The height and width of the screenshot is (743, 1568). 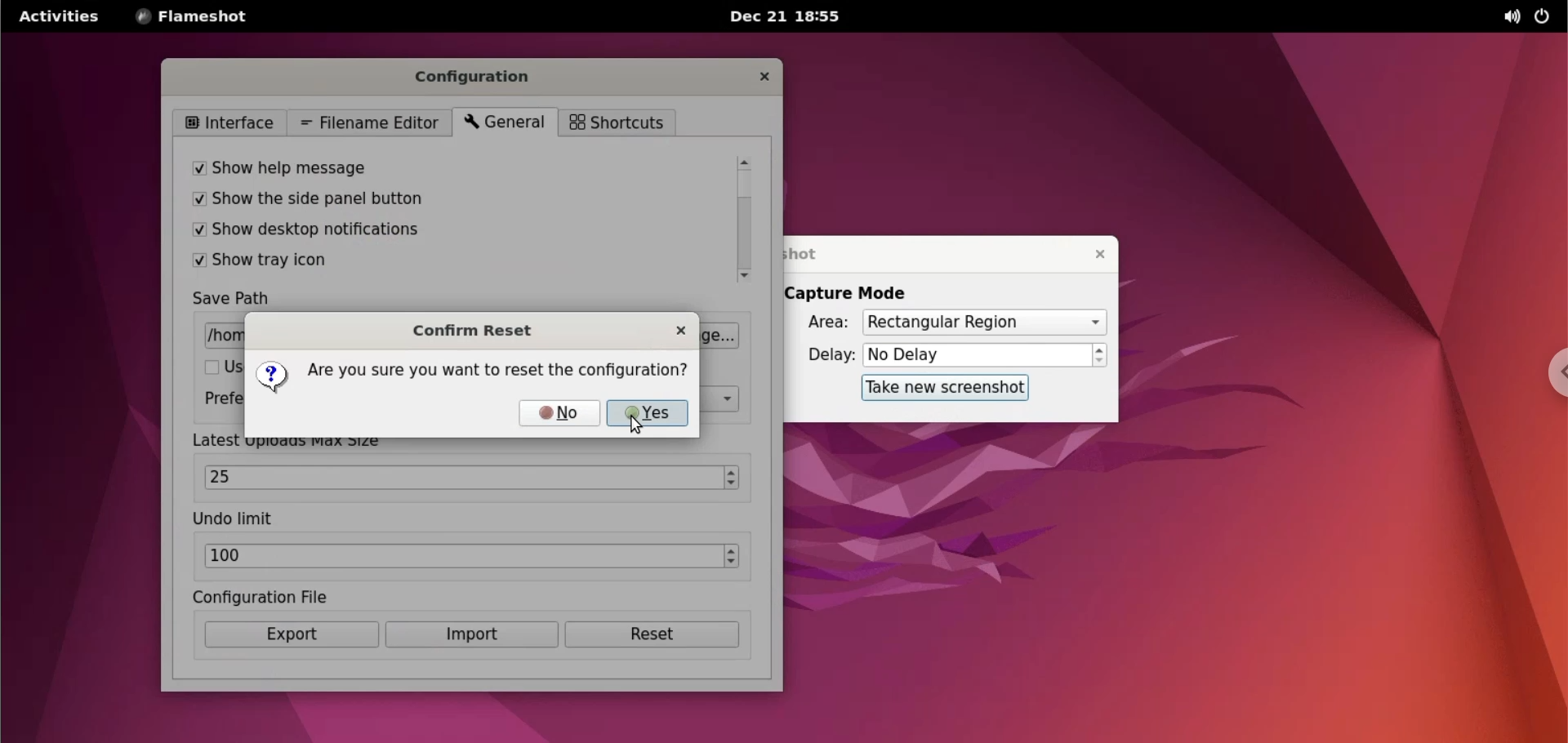 I want to click on show tray icon, so click(x=405, y=263).